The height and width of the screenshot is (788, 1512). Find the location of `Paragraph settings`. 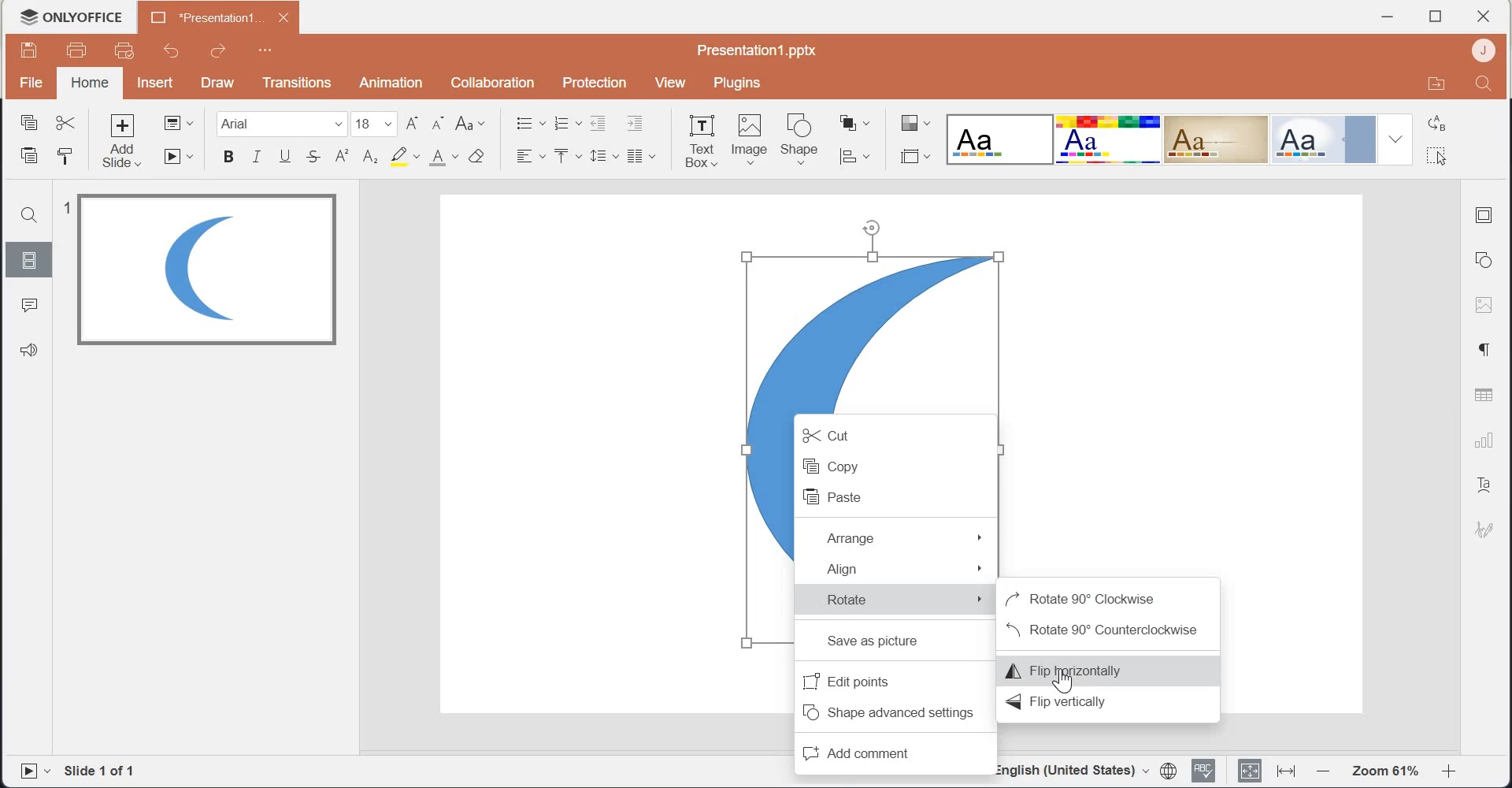

Paragraph settings is located at coordinates (1484, 350).